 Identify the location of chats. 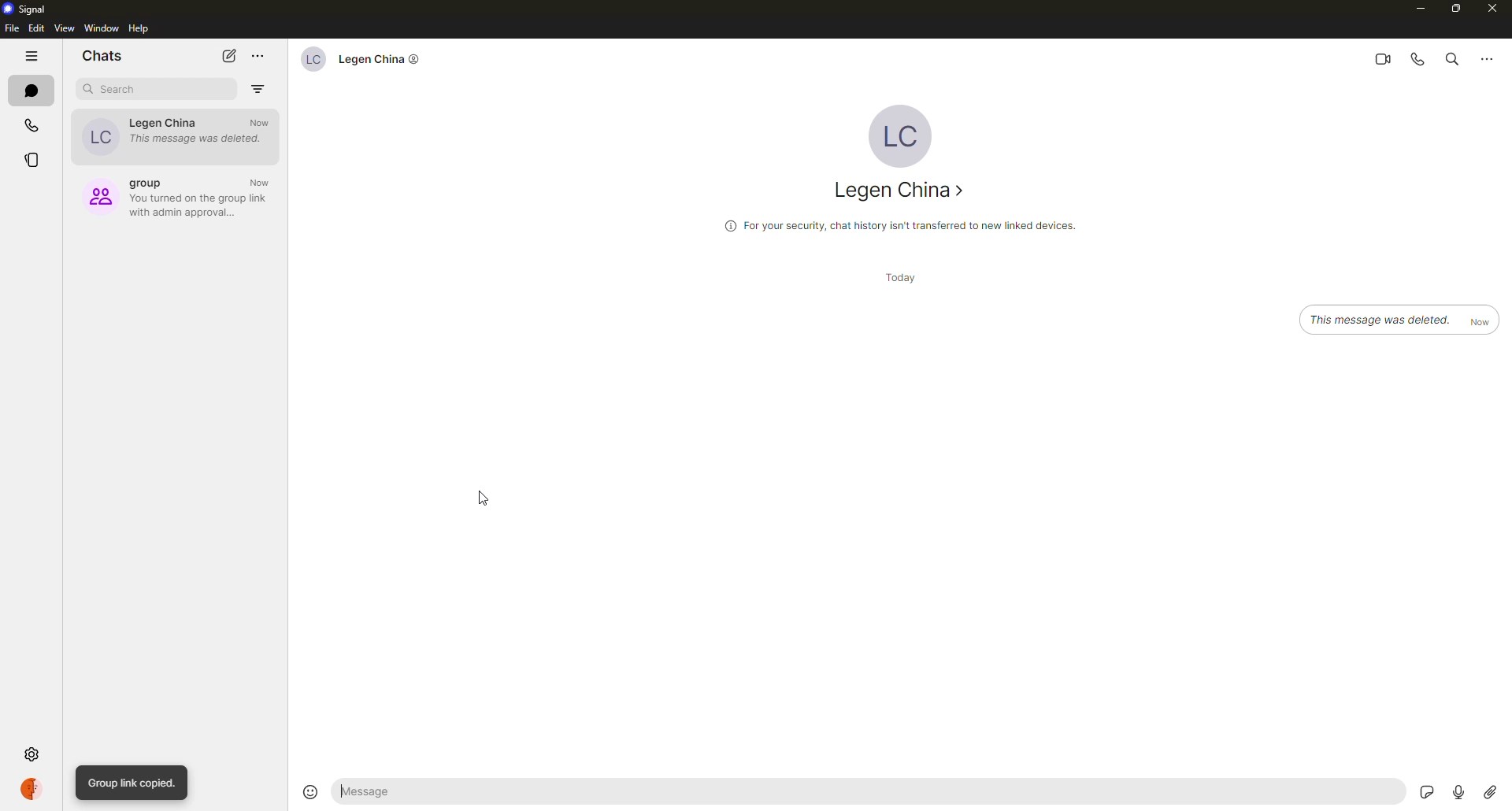
(102, 54).